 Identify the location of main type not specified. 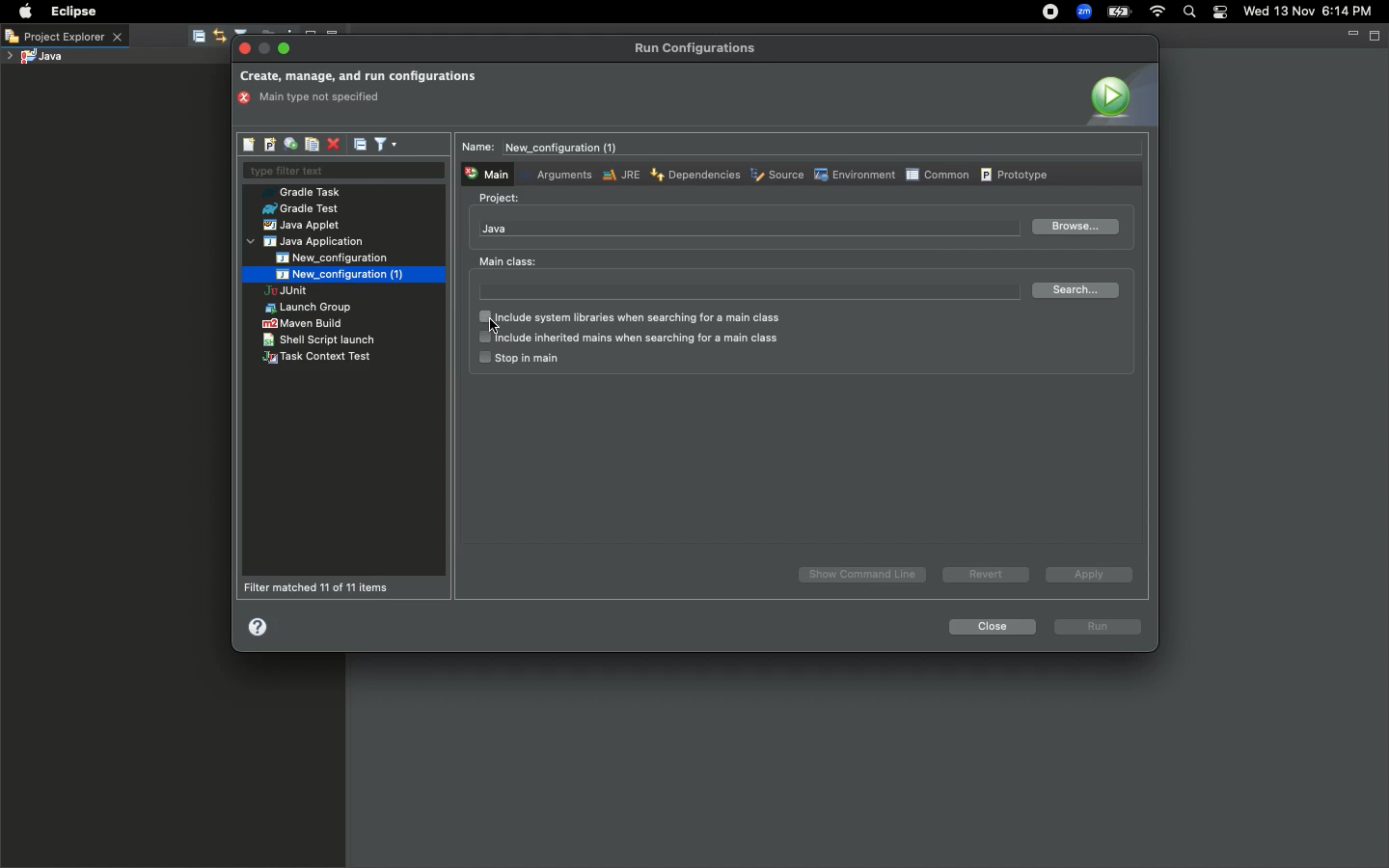
(315, 98).